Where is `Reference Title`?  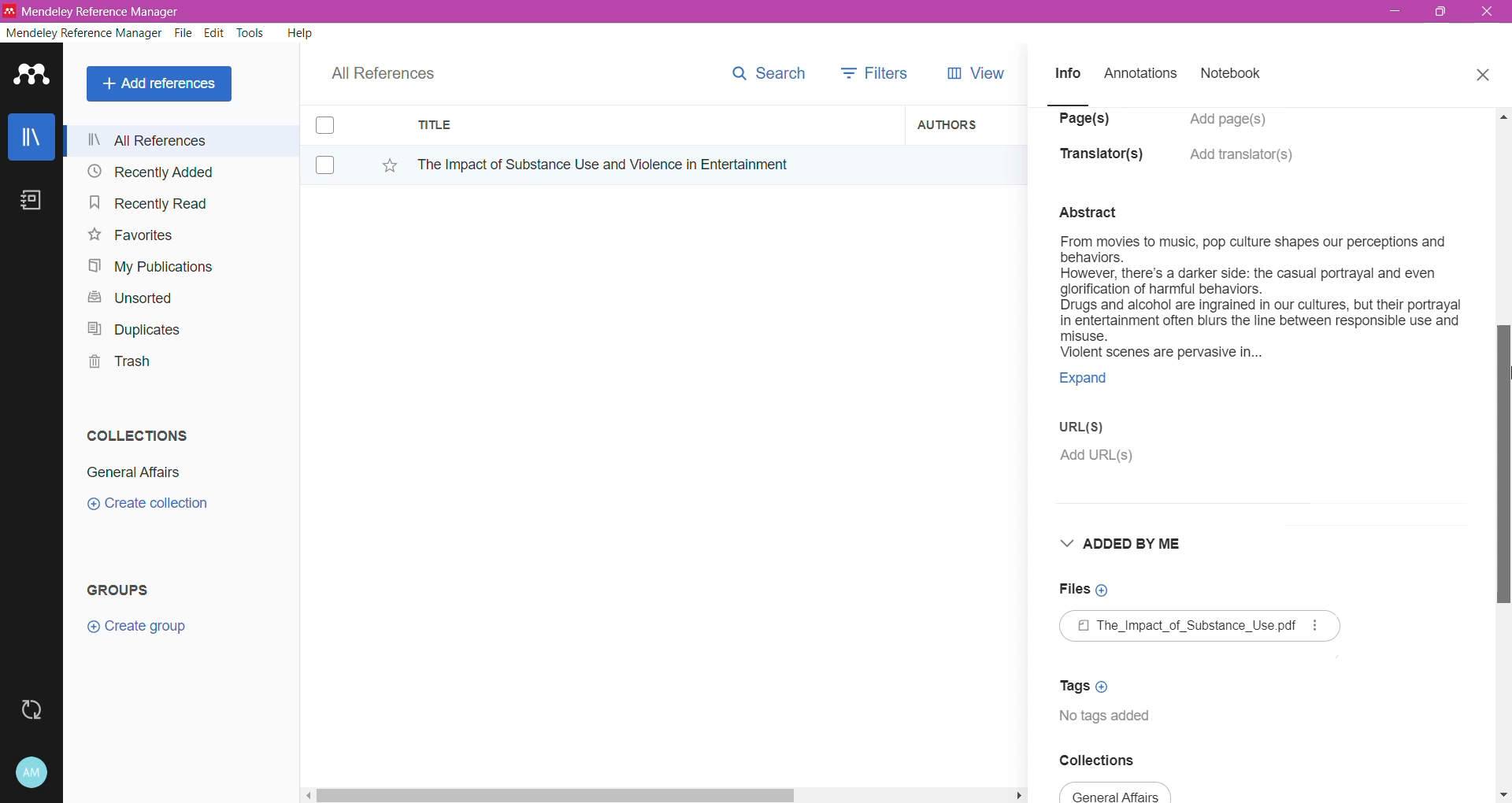
Reference Title is located at coordinates (653, 164).